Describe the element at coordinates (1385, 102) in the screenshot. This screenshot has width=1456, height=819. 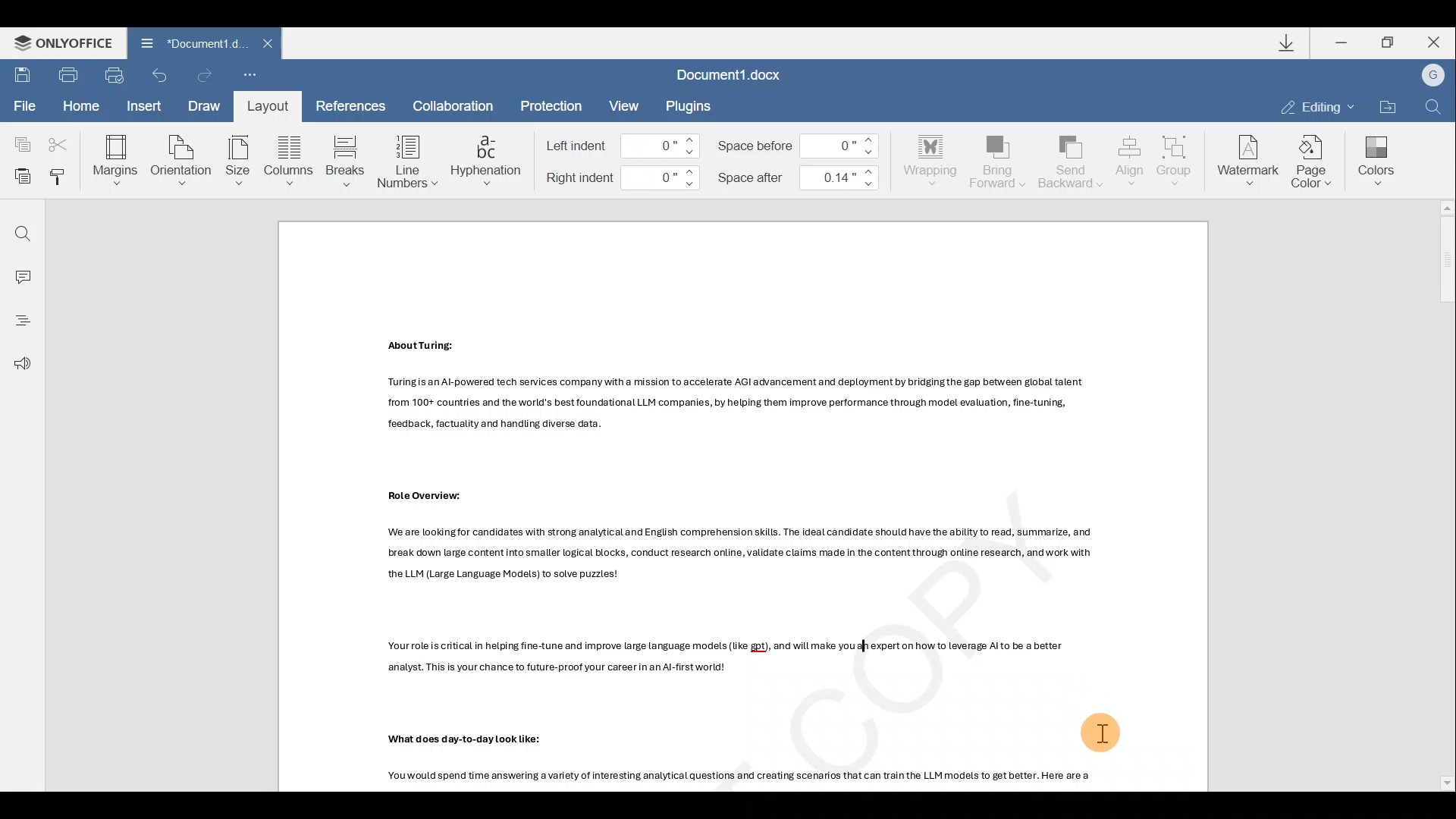
I see `Open file location` at that location.